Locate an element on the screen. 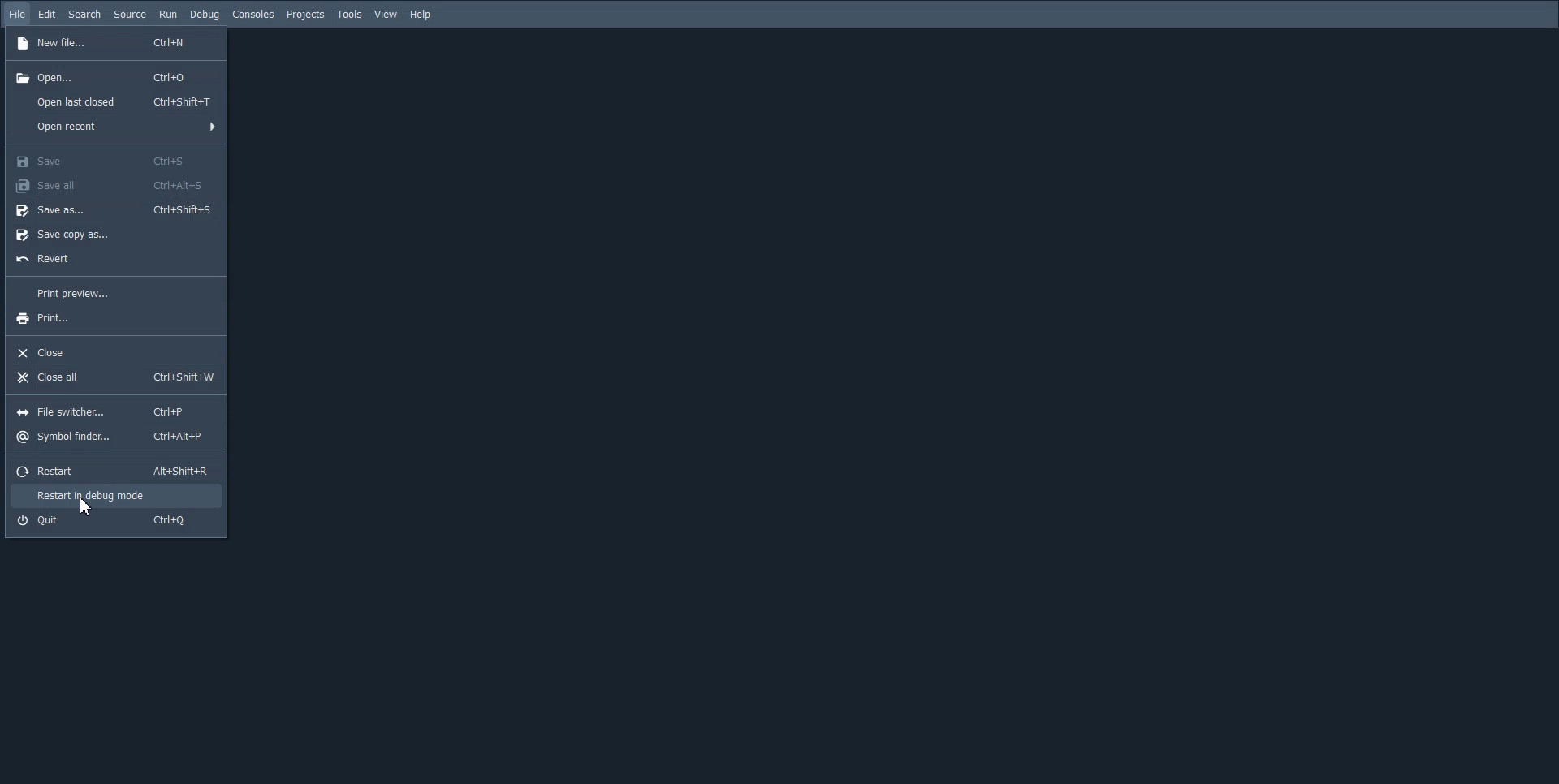 The width and height of the screenshot is (1559, 784). Save is located at coordinates (114, 160).